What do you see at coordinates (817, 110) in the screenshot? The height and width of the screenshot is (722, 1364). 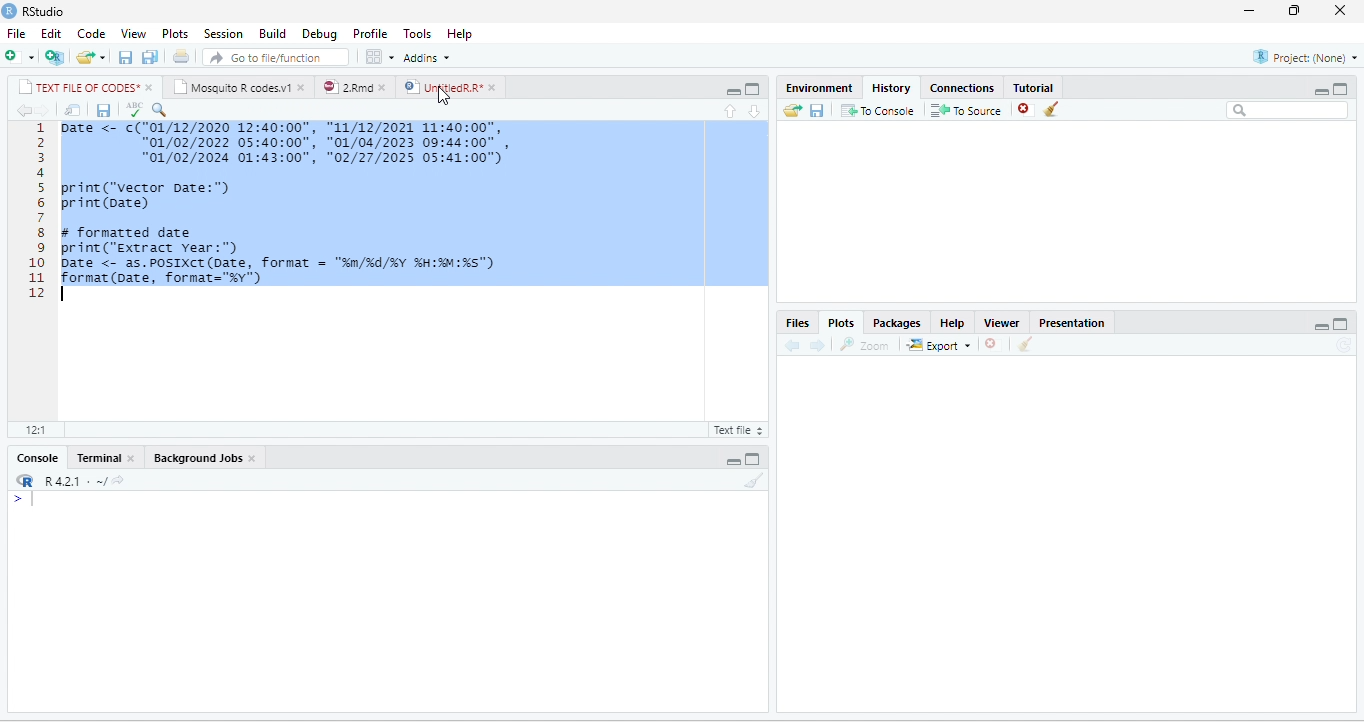 I see `save` at bounding box center [817, 110].